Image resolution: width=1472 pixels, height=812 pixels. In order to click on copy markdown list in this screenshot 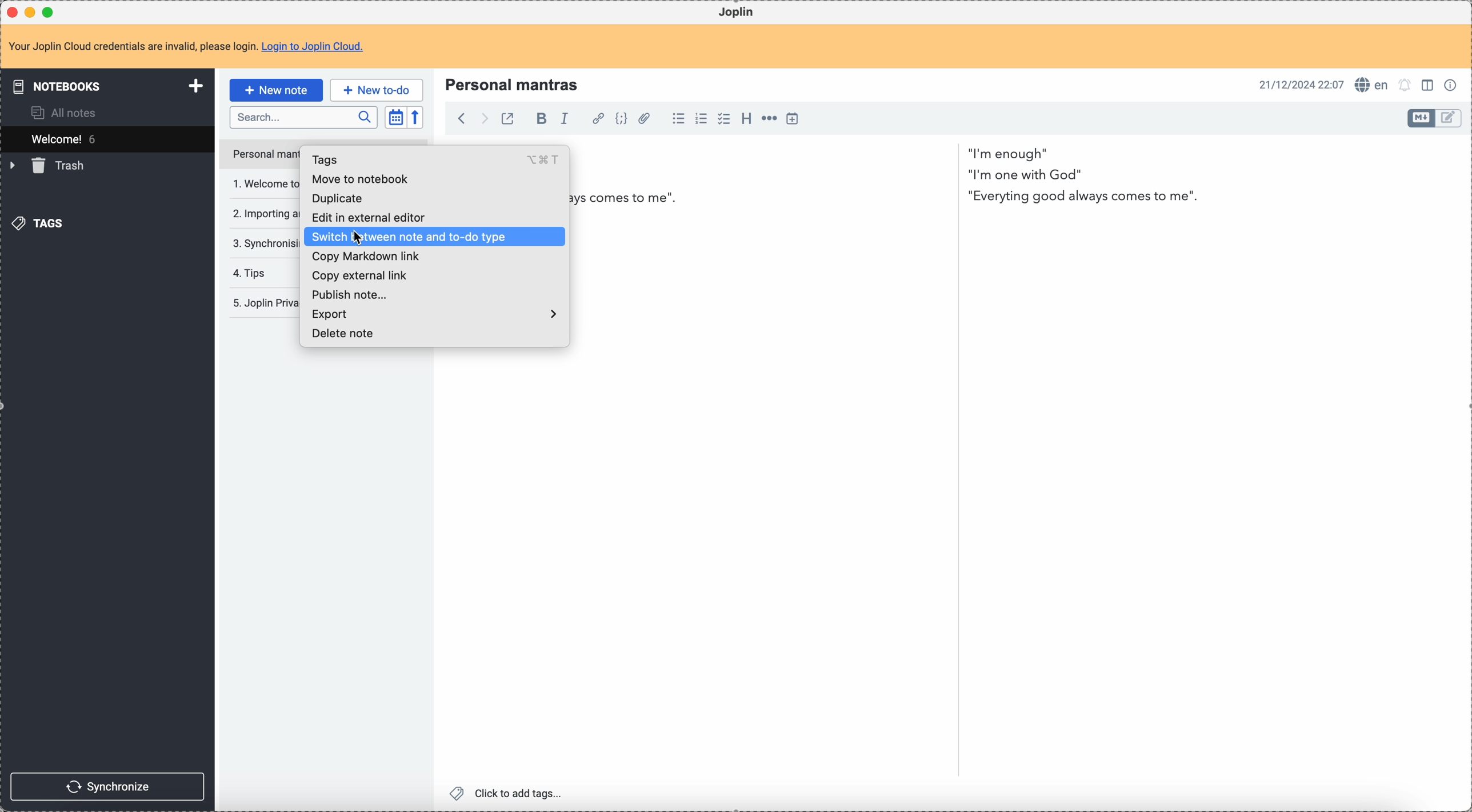, I will do `click(370, 257)`.